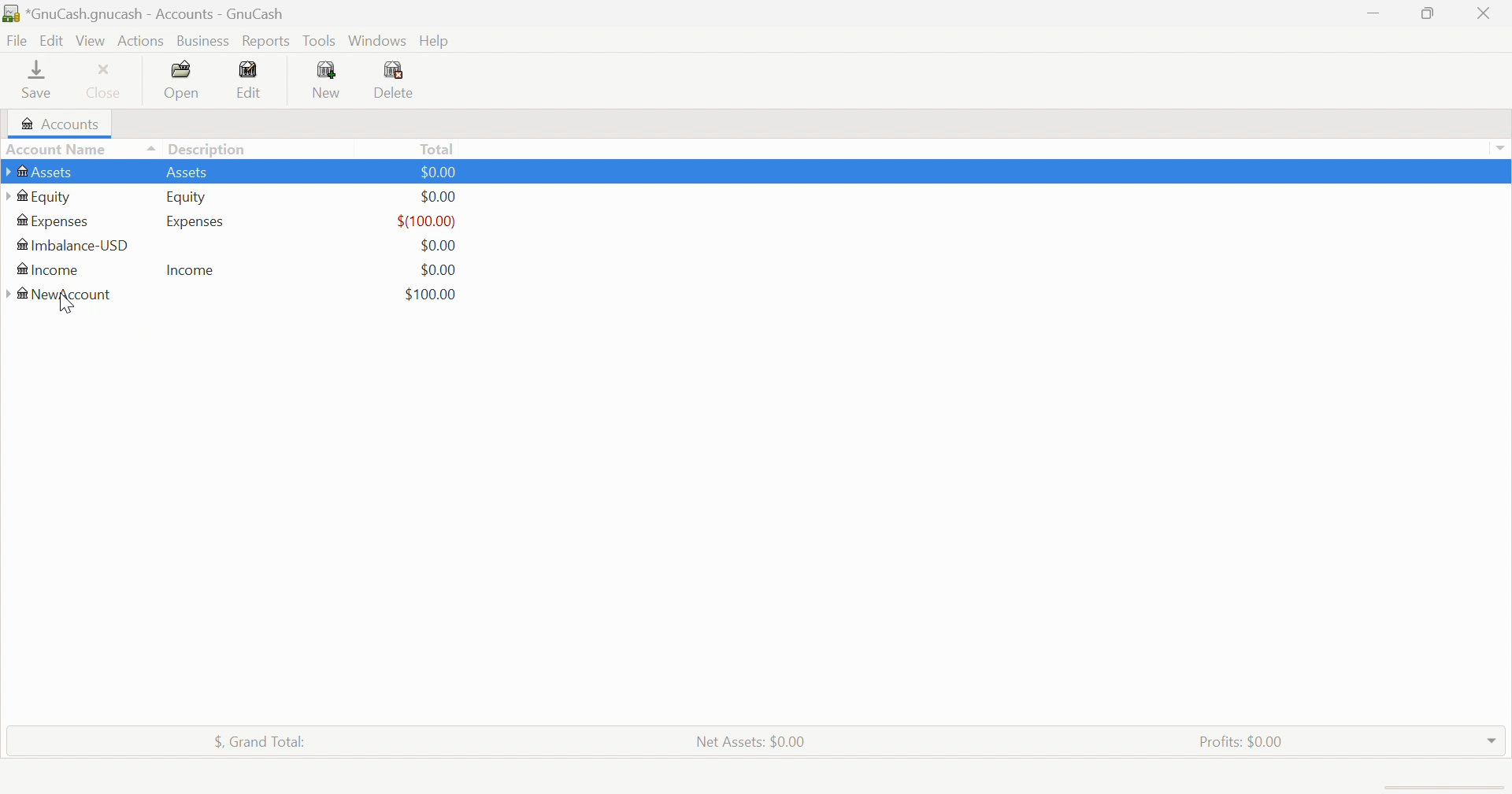 The height and width of the screenshot is (794, 1512). What do you see at coordinates (320, 39) in the screenshot?
I see `Tools` at bounding box center [320, 39].